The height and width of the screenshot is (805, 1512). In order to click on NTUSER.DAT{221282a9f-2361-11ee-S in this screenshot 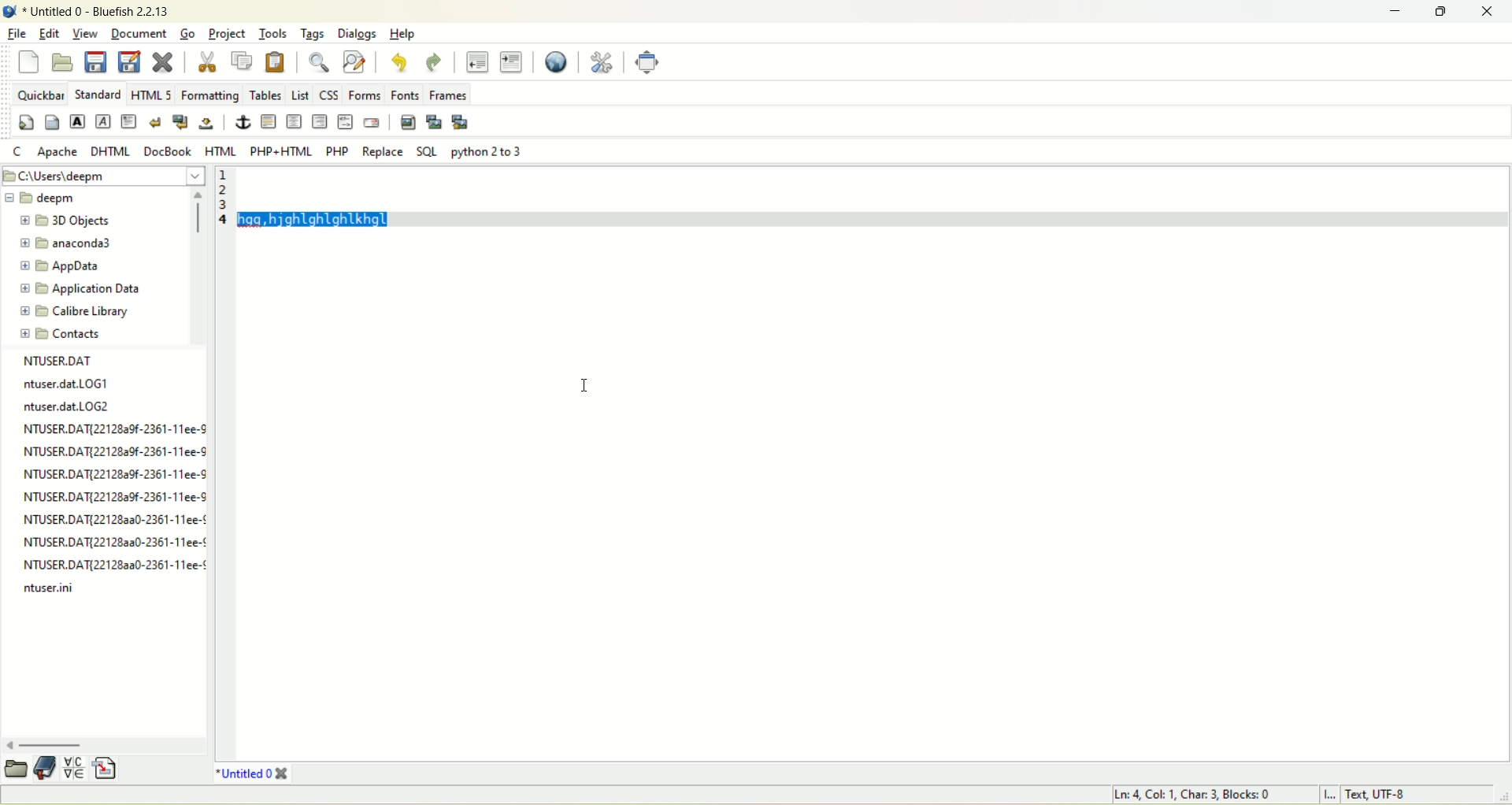, I will do `click(114, 494)`.